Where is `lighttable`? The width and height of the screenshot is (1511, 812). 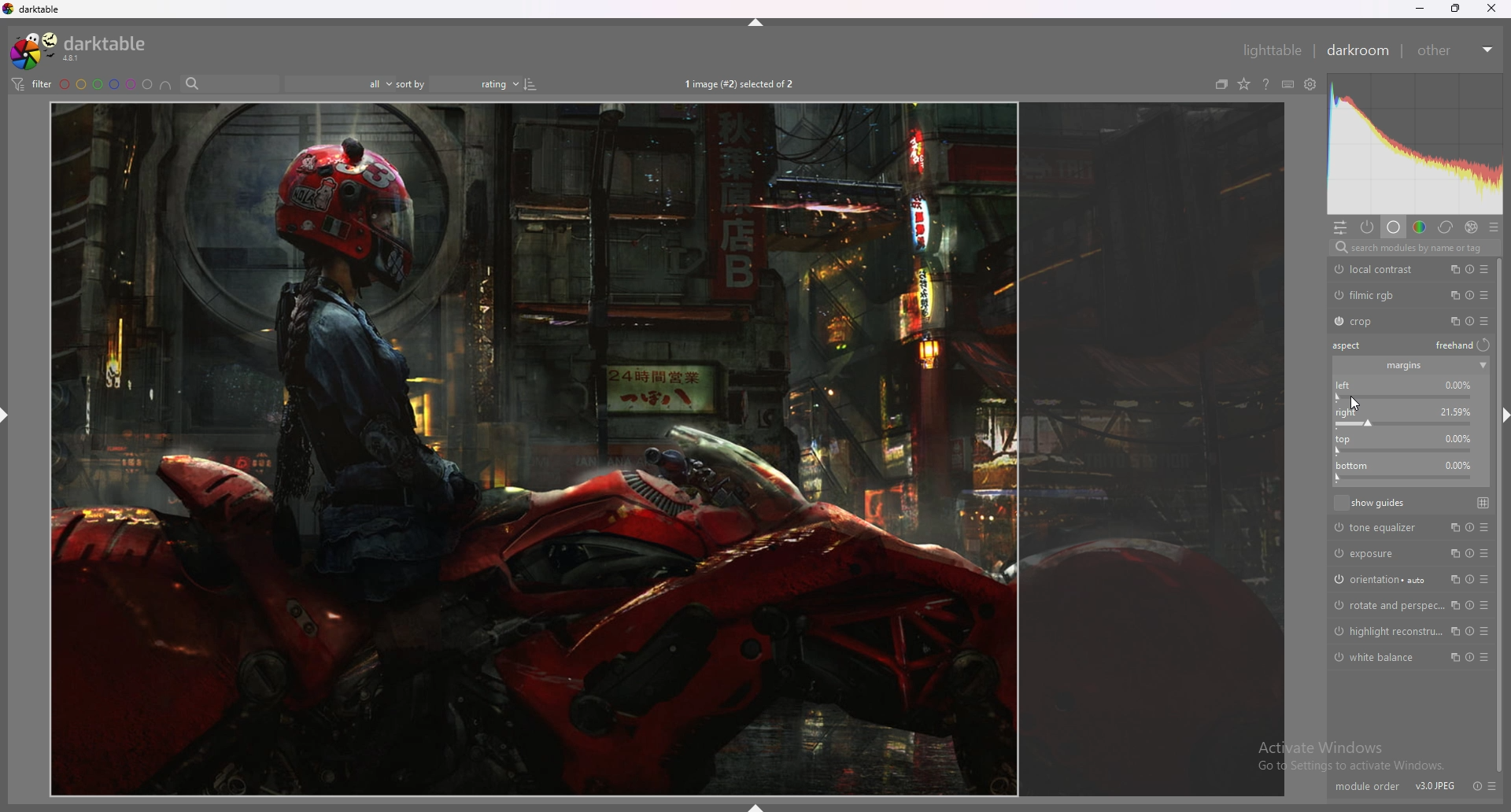 lighttable is located at coordinates (1272, 50).